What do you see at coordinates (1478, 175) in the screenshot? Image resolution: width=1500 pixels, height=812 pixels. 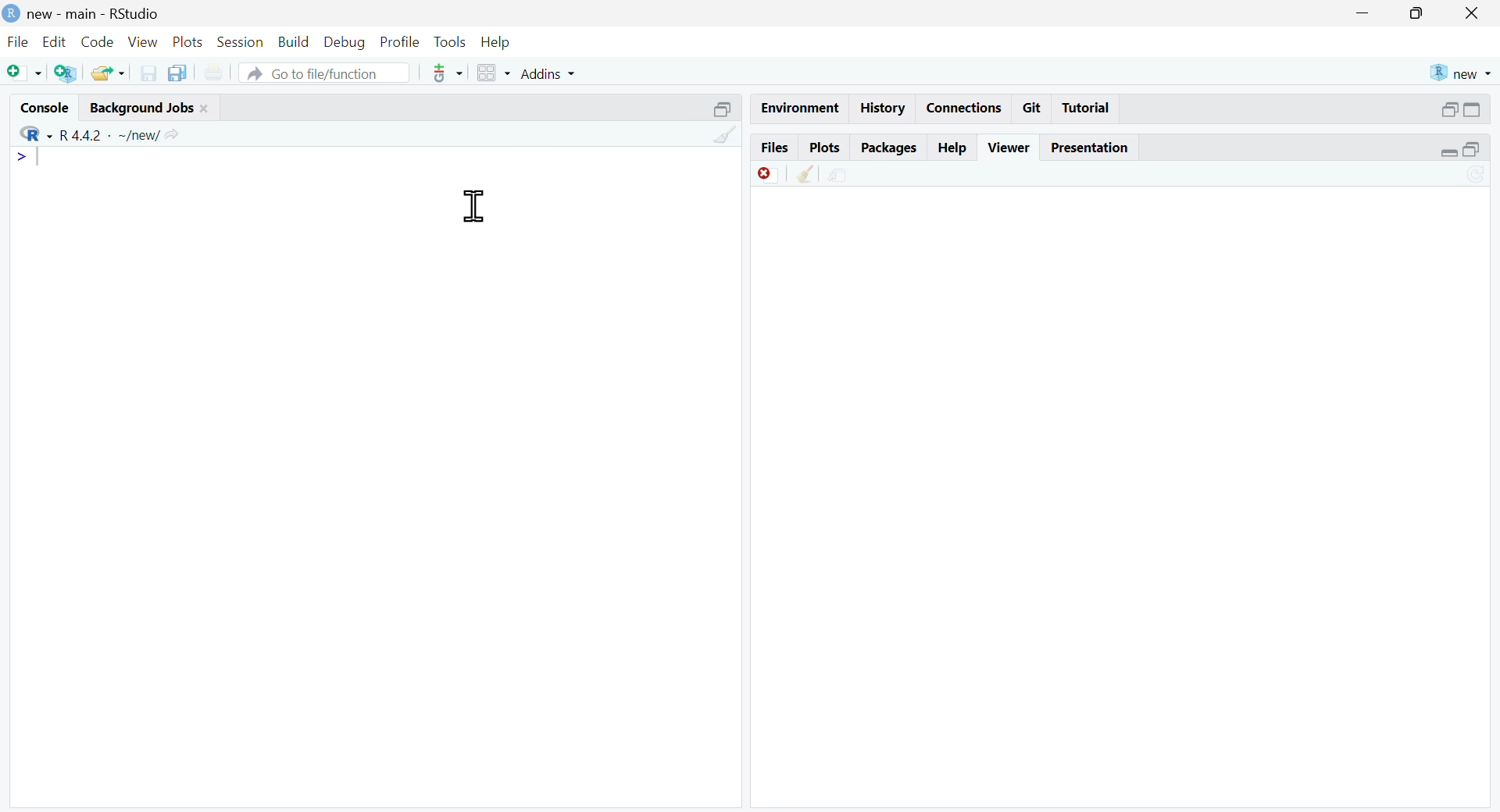 I see `Sync` at bounding box center [1478, 175].